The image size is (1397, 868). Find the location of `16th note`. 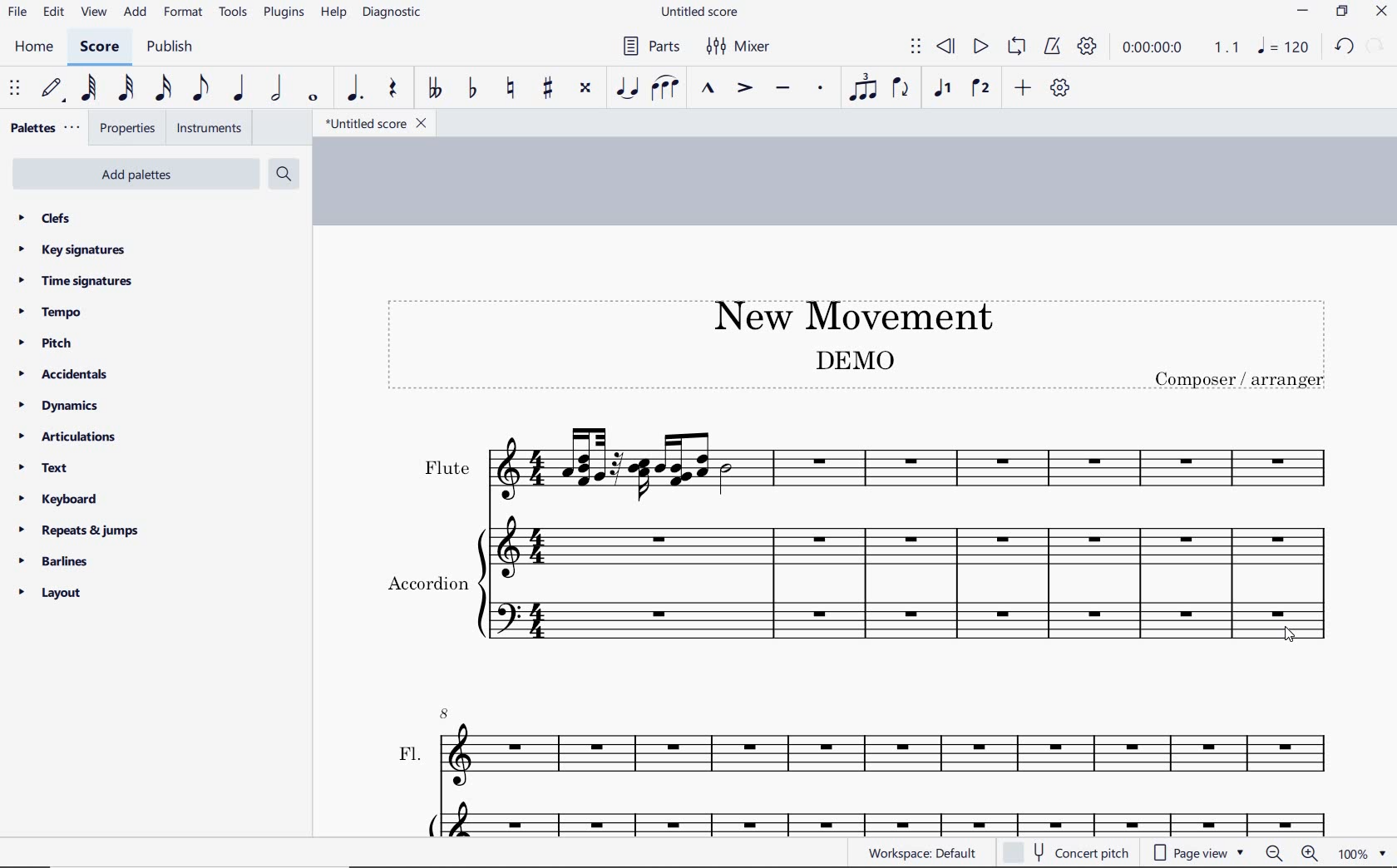

16th note is located at coordinates (164, 89).